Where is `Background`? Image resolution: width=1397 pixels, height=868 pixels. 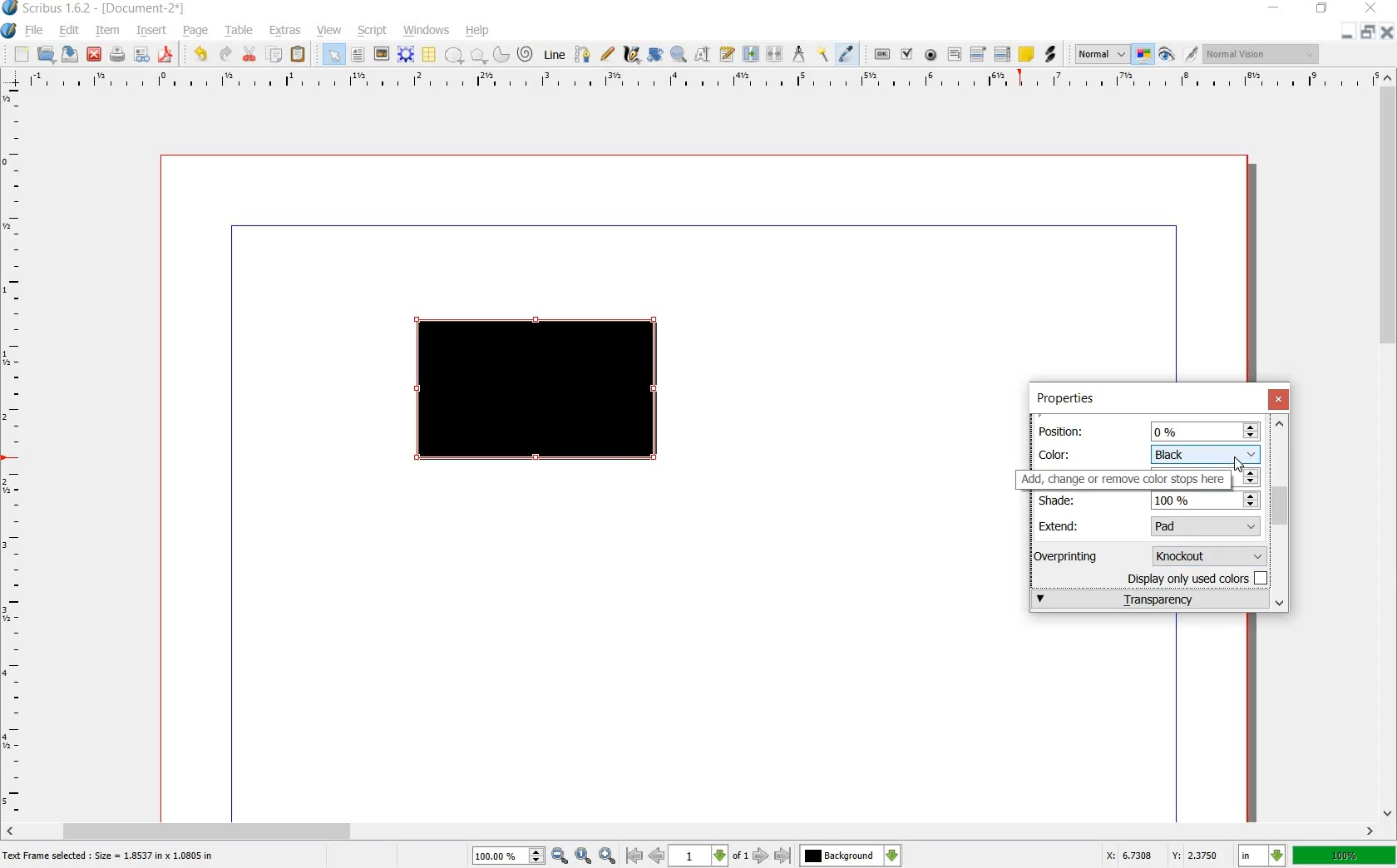
Background is located at coordinates (851, 856).